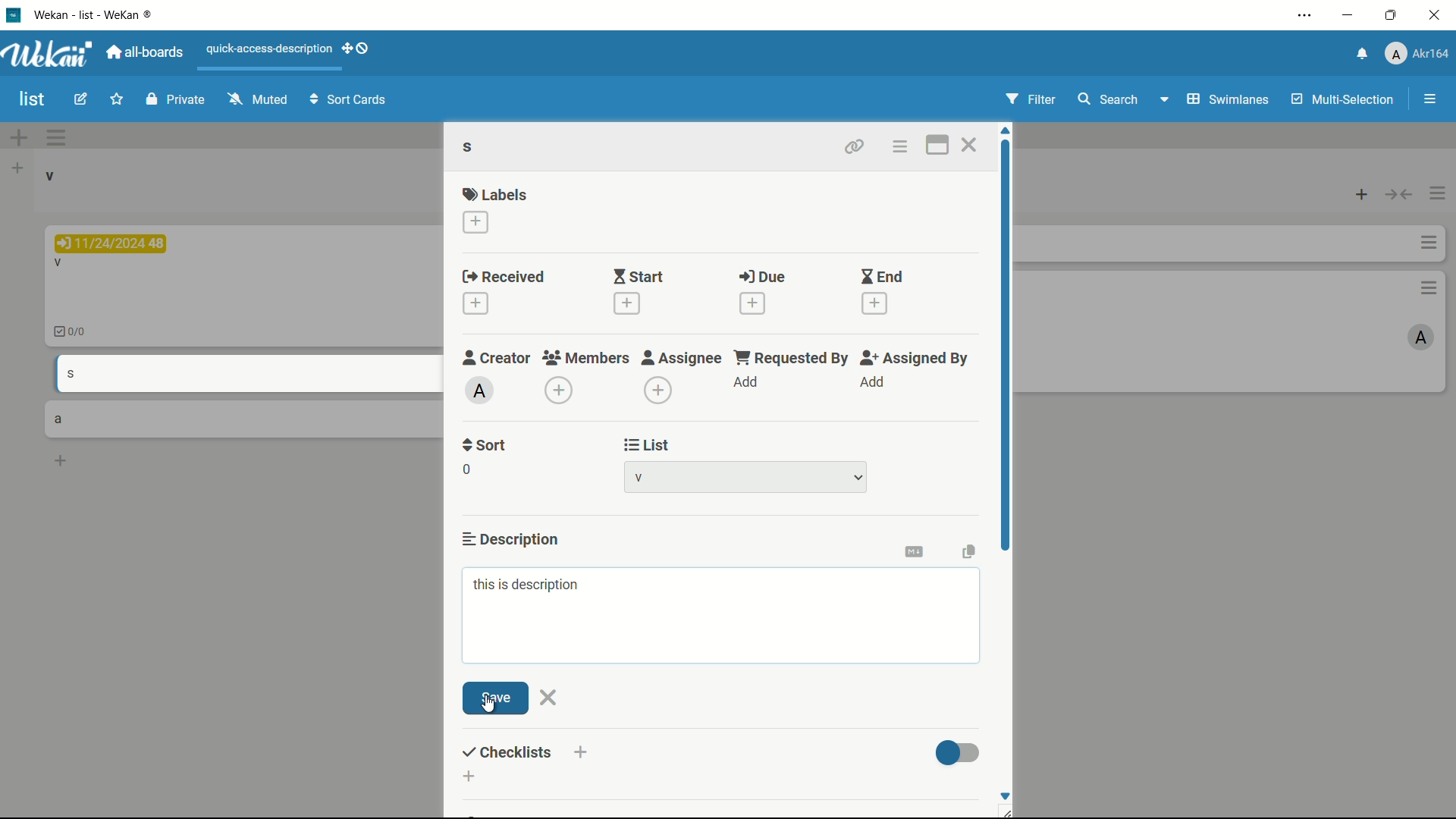  Describe the element at coordinates (116, 101) in the screenshot. I see `star this board` at that location.